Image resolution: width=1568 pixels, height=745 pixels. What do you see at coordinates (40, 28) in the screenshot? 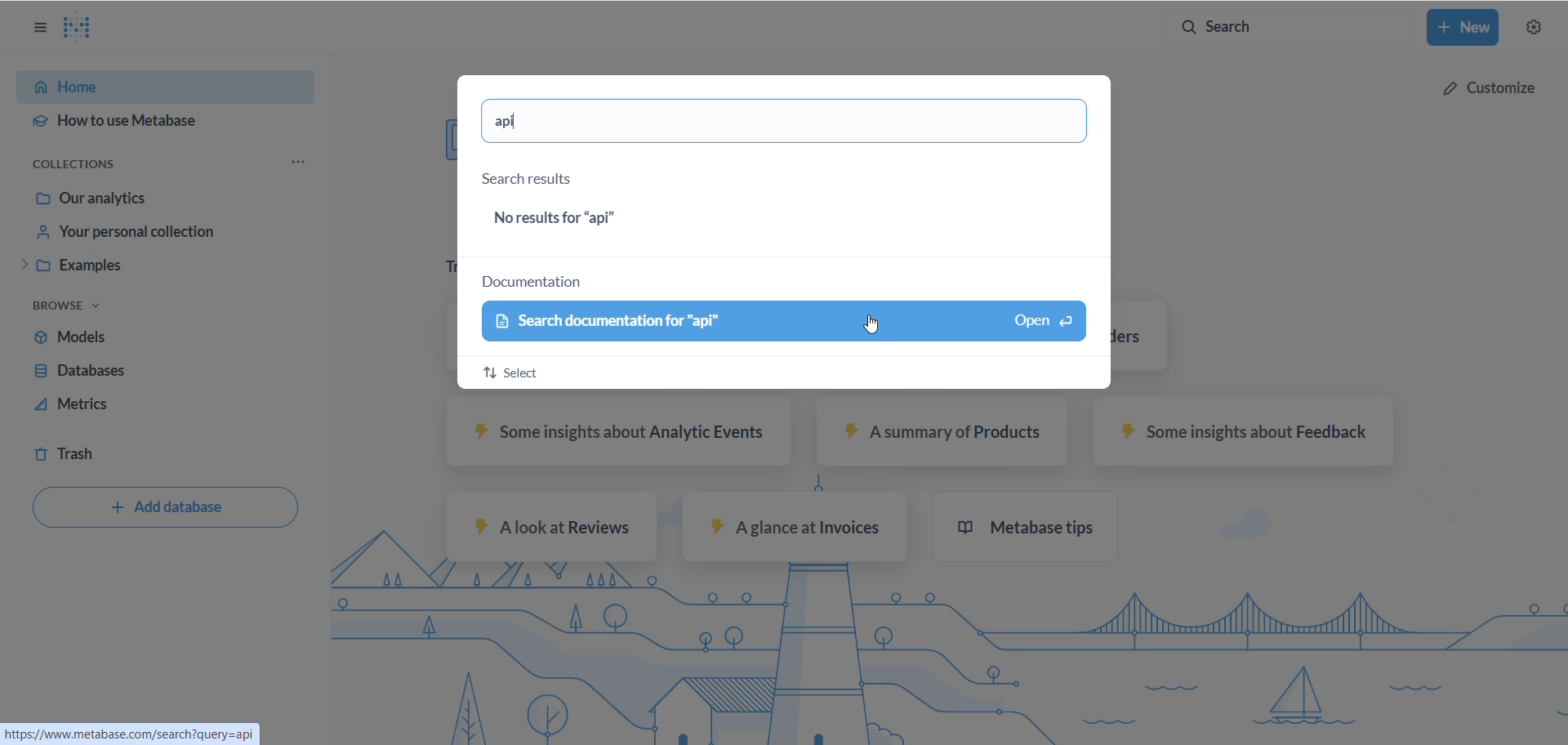
I see `OPTIONS` at bounding box center [40, 28].